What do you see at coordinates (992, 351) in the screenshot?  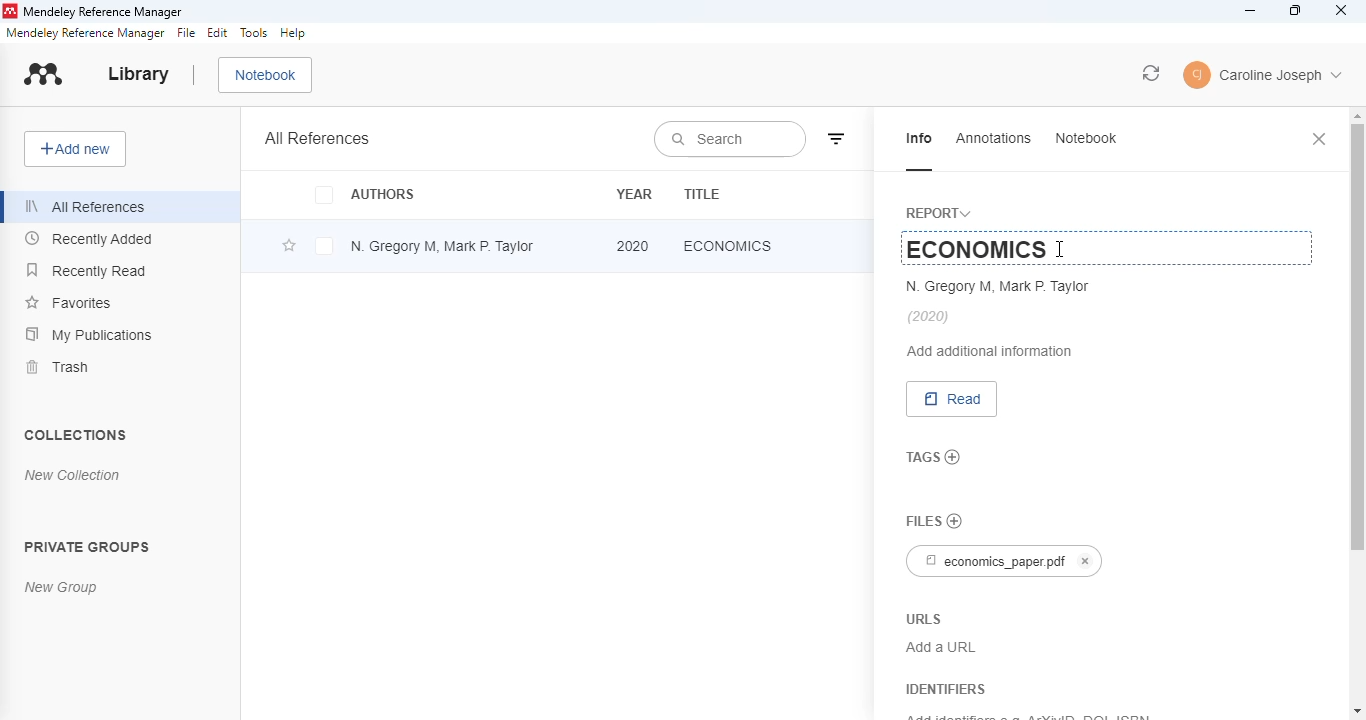 I see `add additional information` at bounding box center [992, 351].